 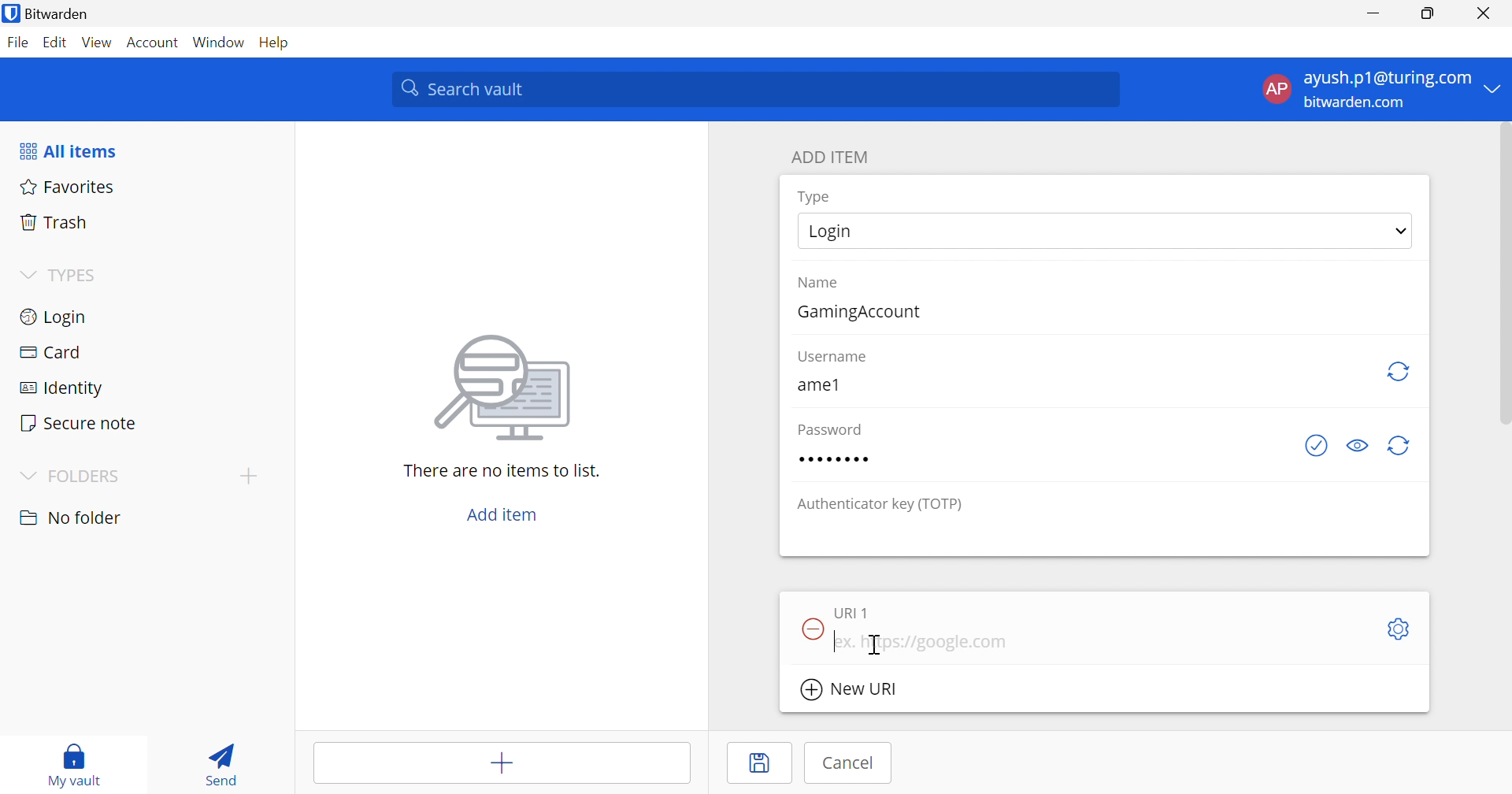 What do you see at coordinates (1390, 80) in the screenshot?
I see `ayush.p1@turing.com` at bounding box center [1390, 80].